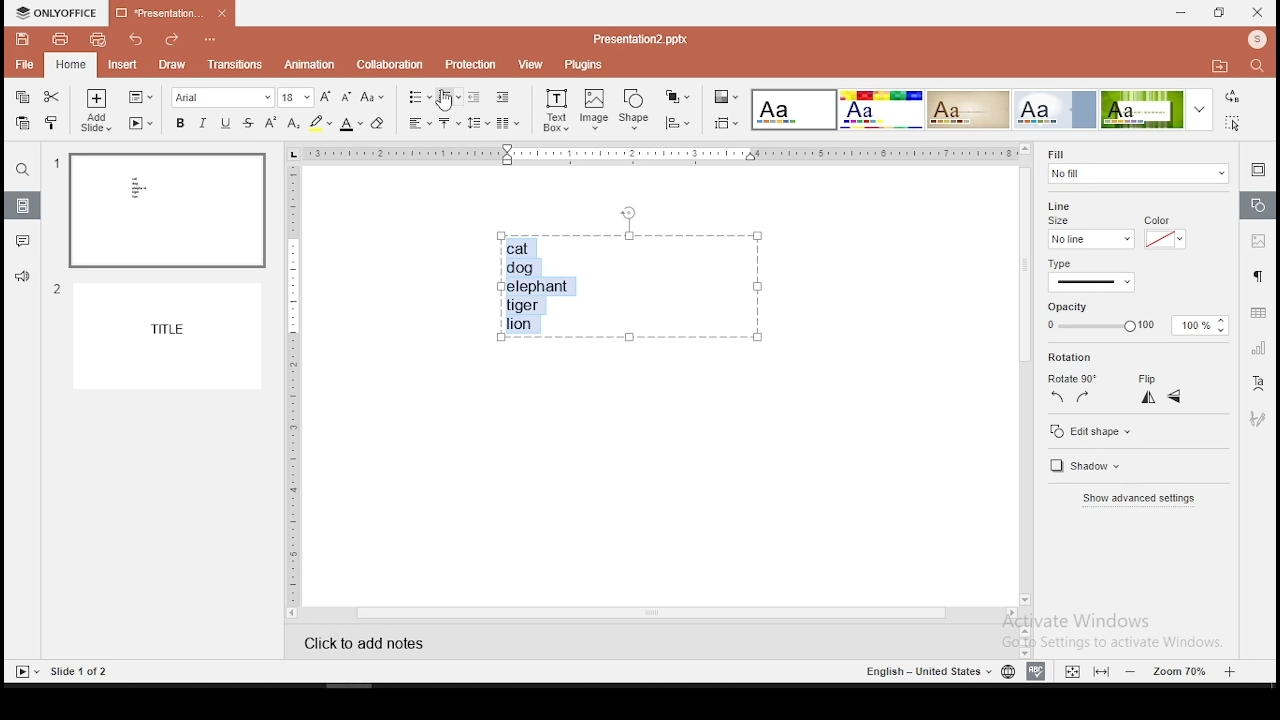 Image resolution: width=1280 pixels, height=720 pixels. What do you see at coordinates (378, 125) in the screenshot?
I see `eraser tool` at bounding box center [378, 125].